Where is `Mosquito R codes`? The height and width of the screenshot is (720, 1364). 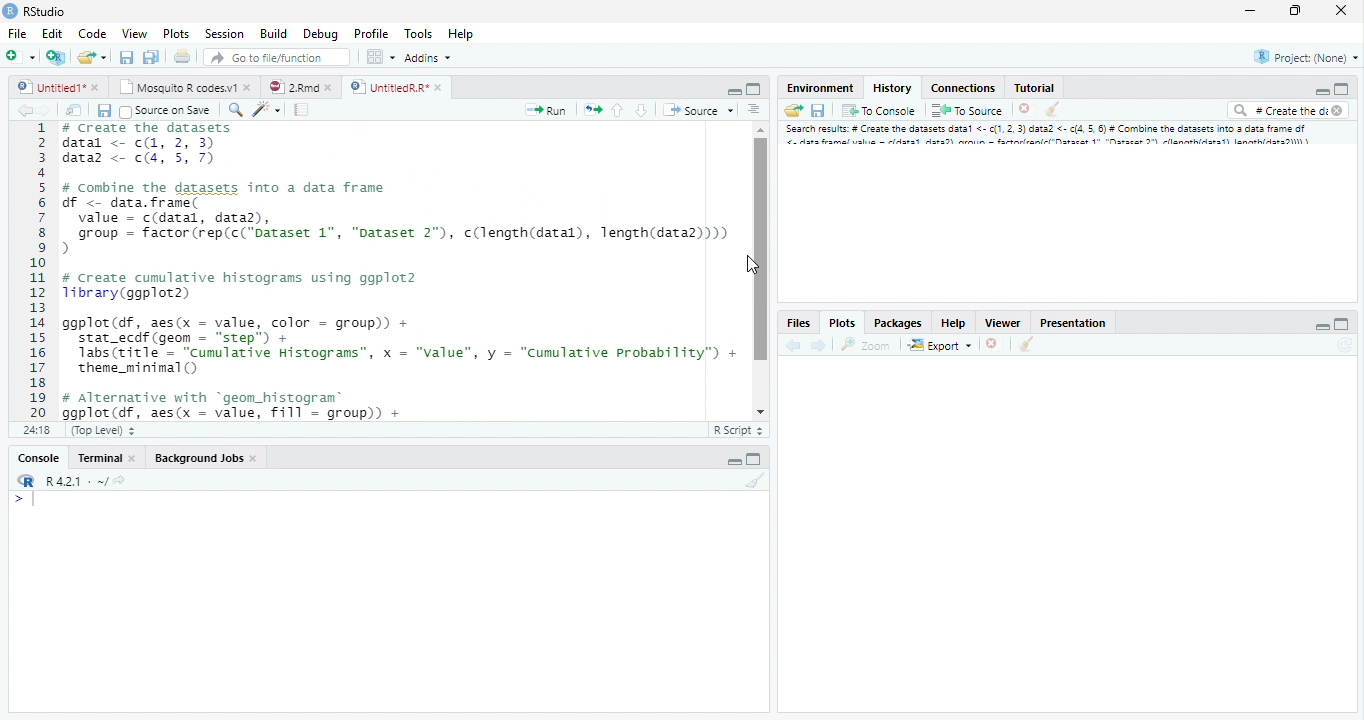 Mosquito R codes is located at coordinates (188, 87).